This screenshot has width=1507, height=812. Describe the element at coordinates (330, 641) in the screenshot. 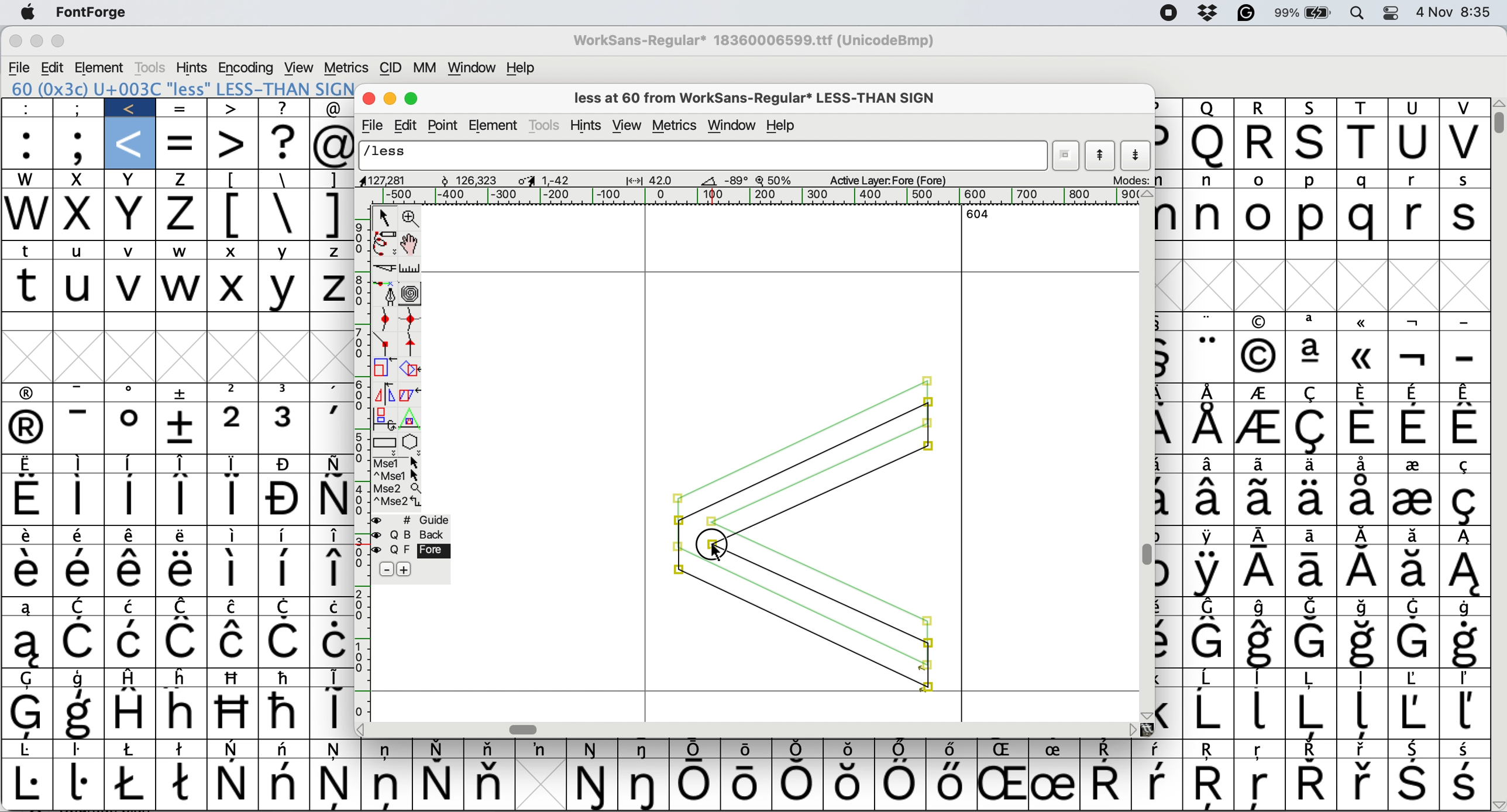

I see `Symbol` at that location.